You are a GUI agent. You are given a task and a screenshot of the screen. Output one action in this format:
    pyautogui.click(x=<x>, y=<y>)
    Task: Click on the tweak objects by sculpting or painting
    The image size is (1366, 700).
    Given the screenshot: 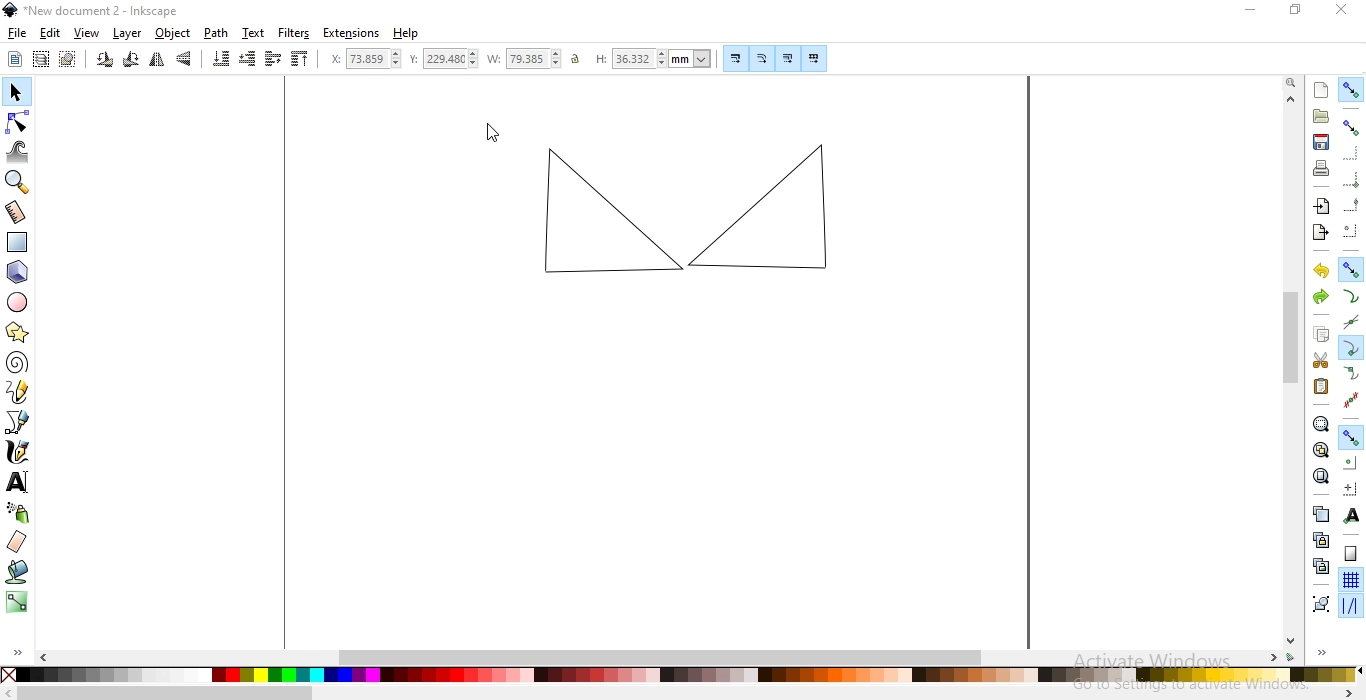 What is the action you would take?
    pyautogui.click(x=19, y=152)
    